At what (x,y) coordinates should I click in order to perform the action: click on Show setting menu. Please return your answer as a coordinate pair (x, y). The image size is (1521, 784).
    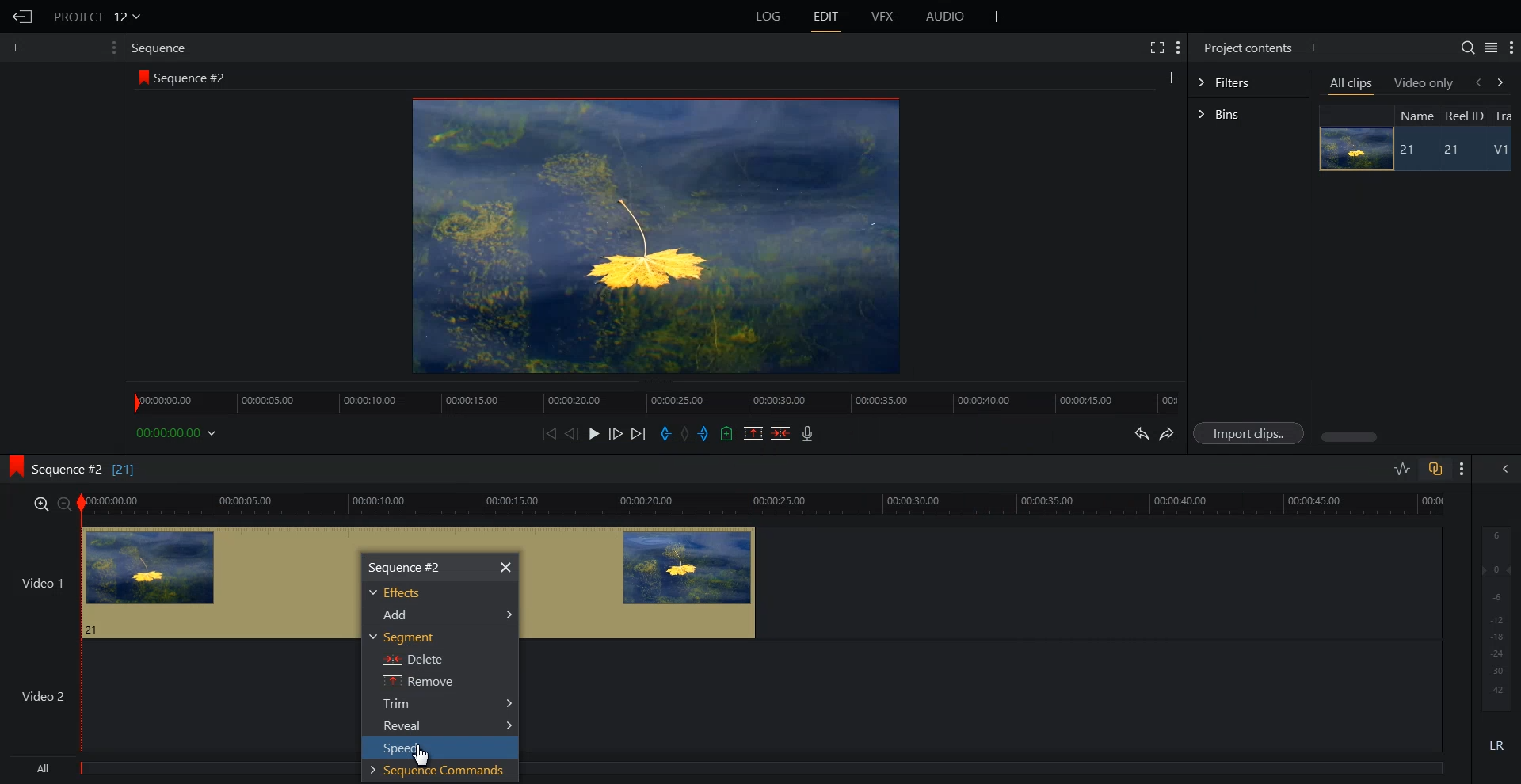
    Looking at the image, I should click on (1178, 48).